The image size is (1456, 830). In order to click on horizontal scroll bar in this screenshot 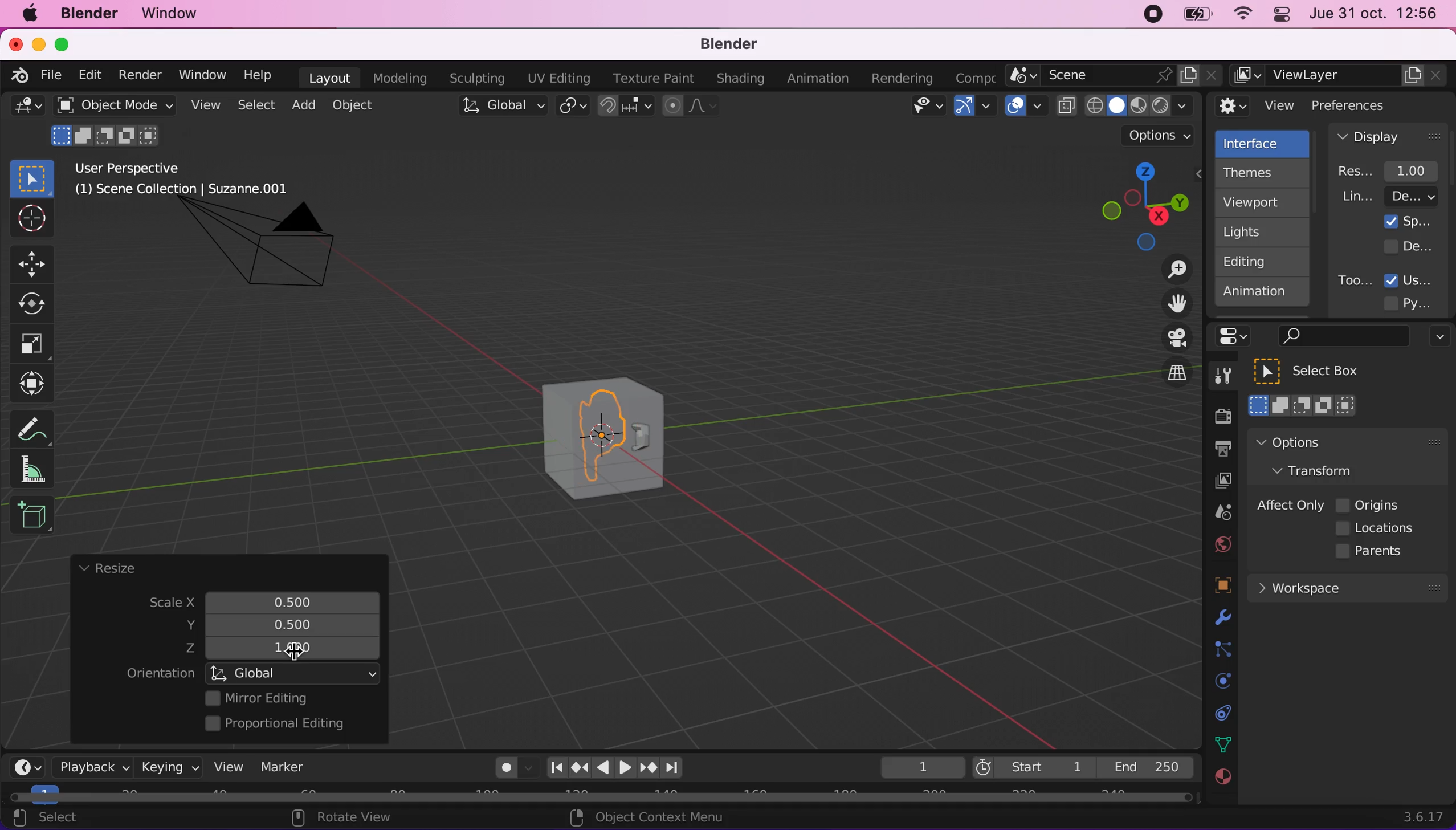, I will do `click(601, 798)`.